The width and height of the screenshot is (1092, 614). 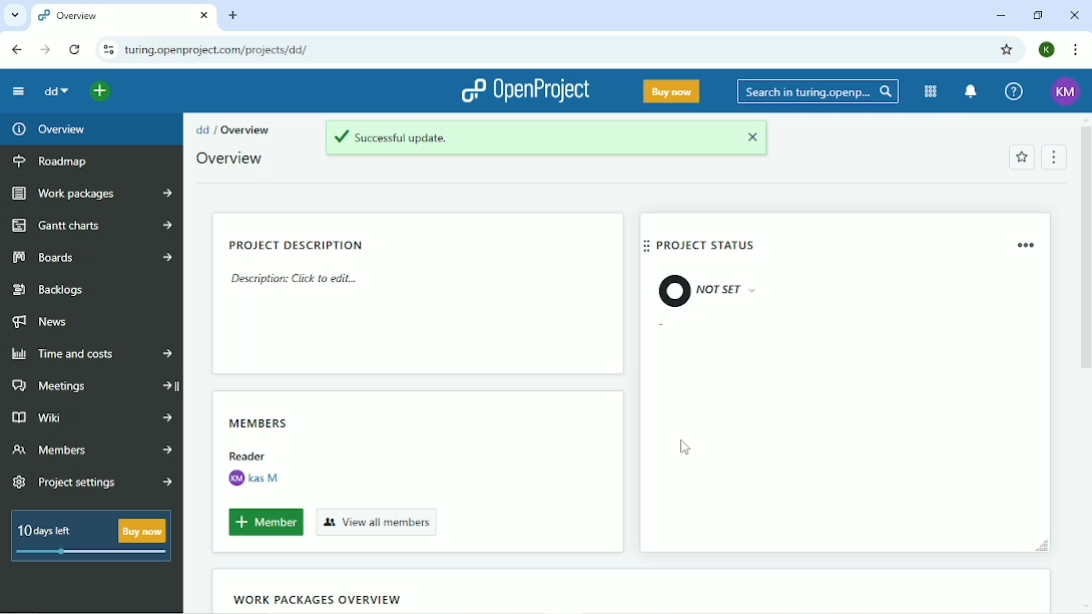 What do you see at coordinates (92, 451) in the screenshot?
I see `Members` at bounding box center [92, 451].